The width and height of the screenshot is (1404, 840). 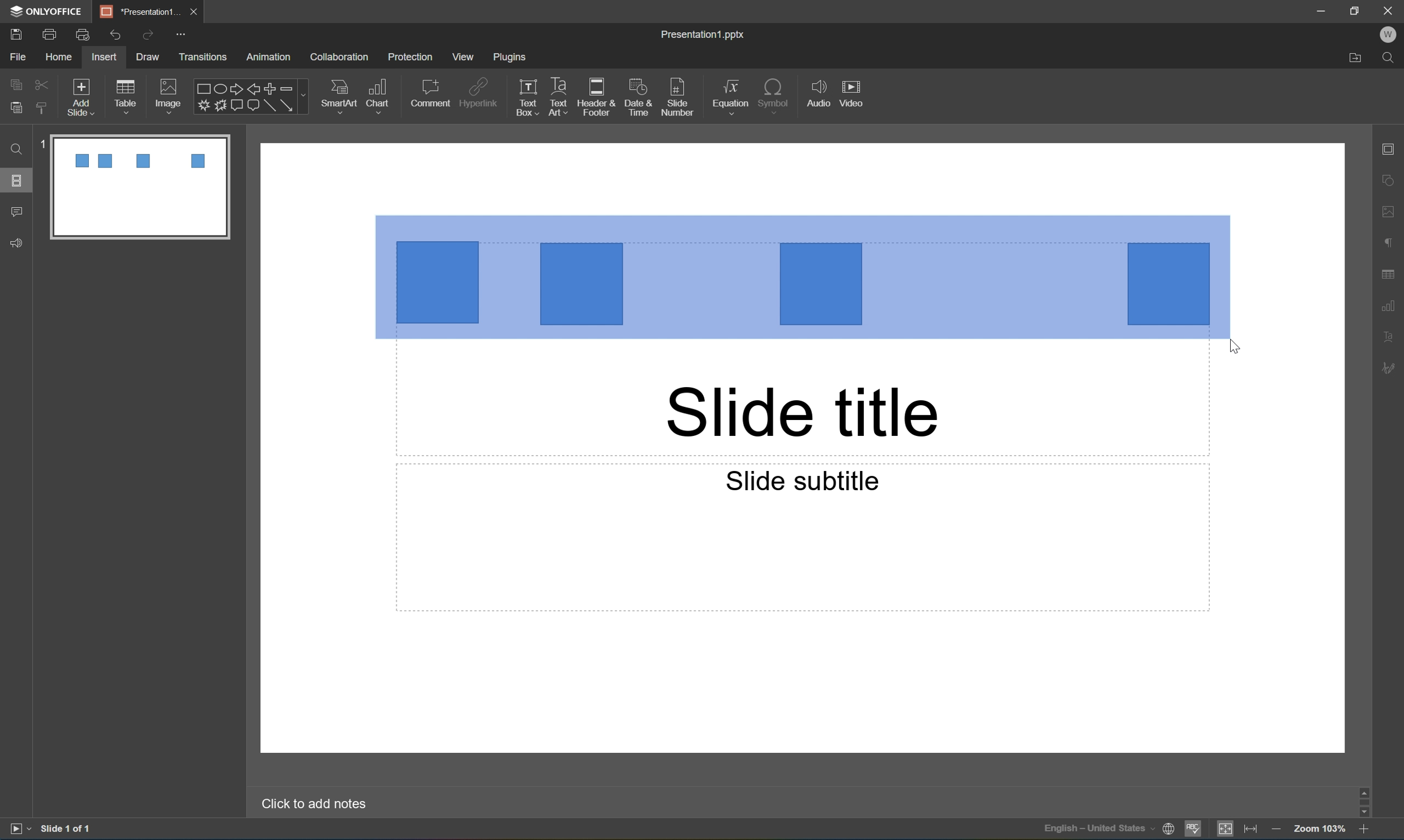 What do you see at coordinates (1393, 304) in the screenshot?
I see `chart settings` at bounding box center [1393, 304].